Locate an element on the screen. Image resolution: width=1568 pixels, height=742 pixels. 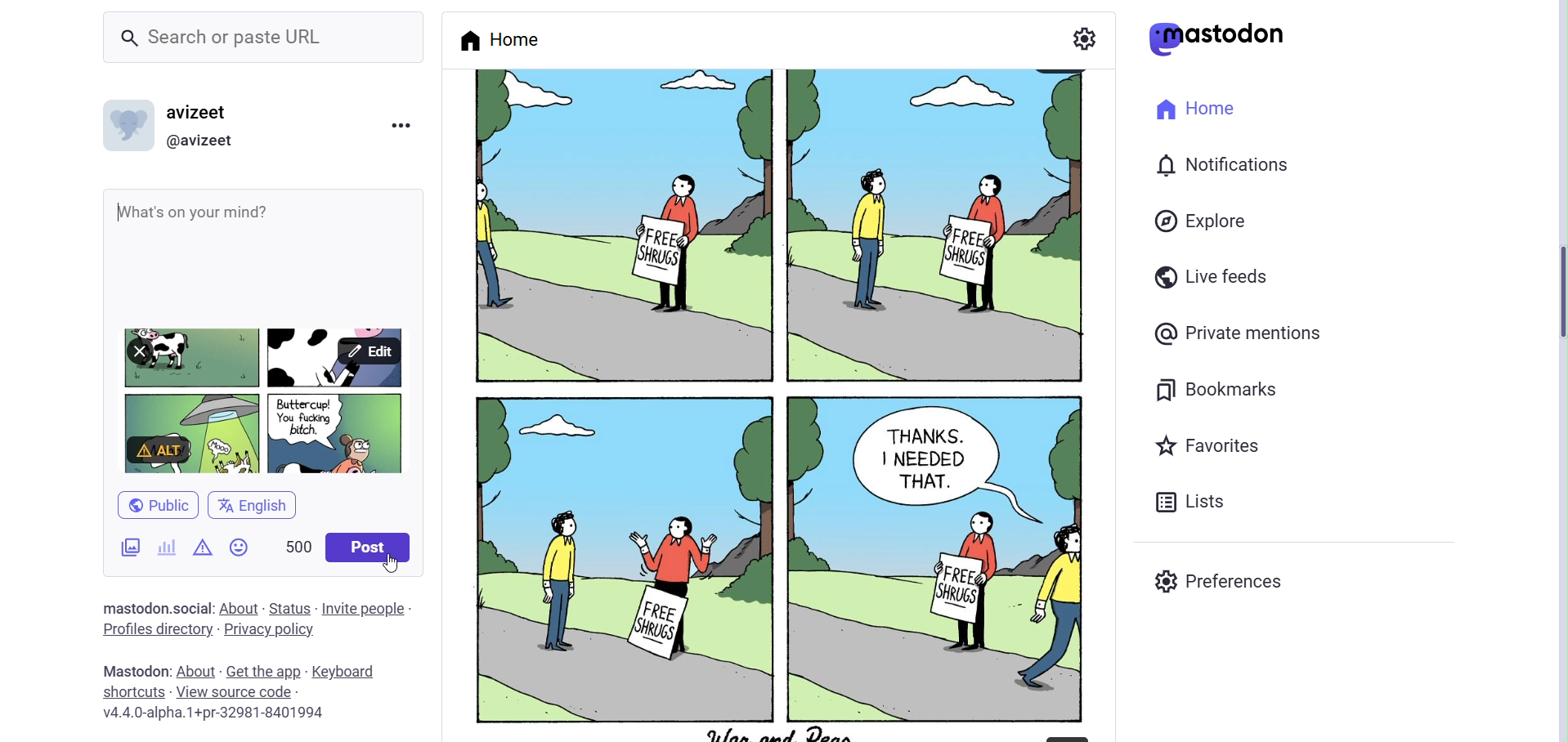
Live Feeds is located at coordinates (1212, 276).